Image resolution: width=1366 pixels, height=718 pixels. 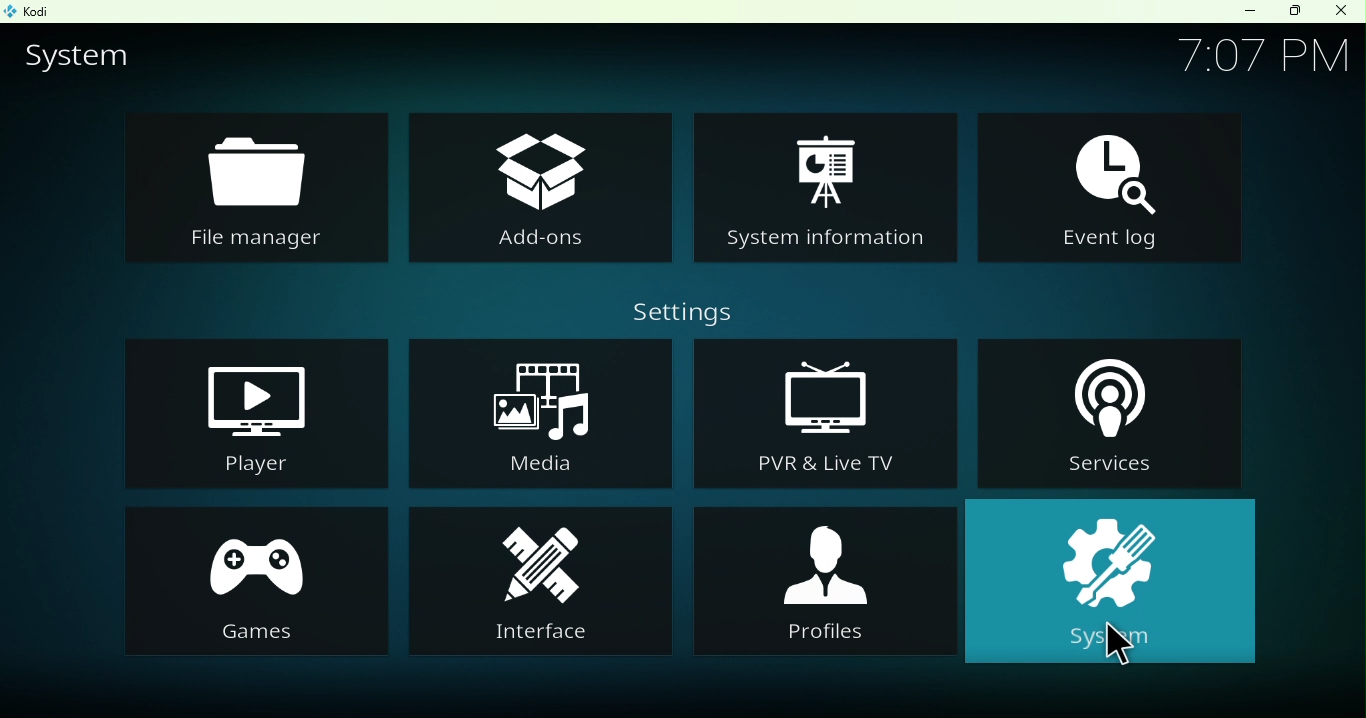 I want to click on Services, so click(x=1114, y=414).